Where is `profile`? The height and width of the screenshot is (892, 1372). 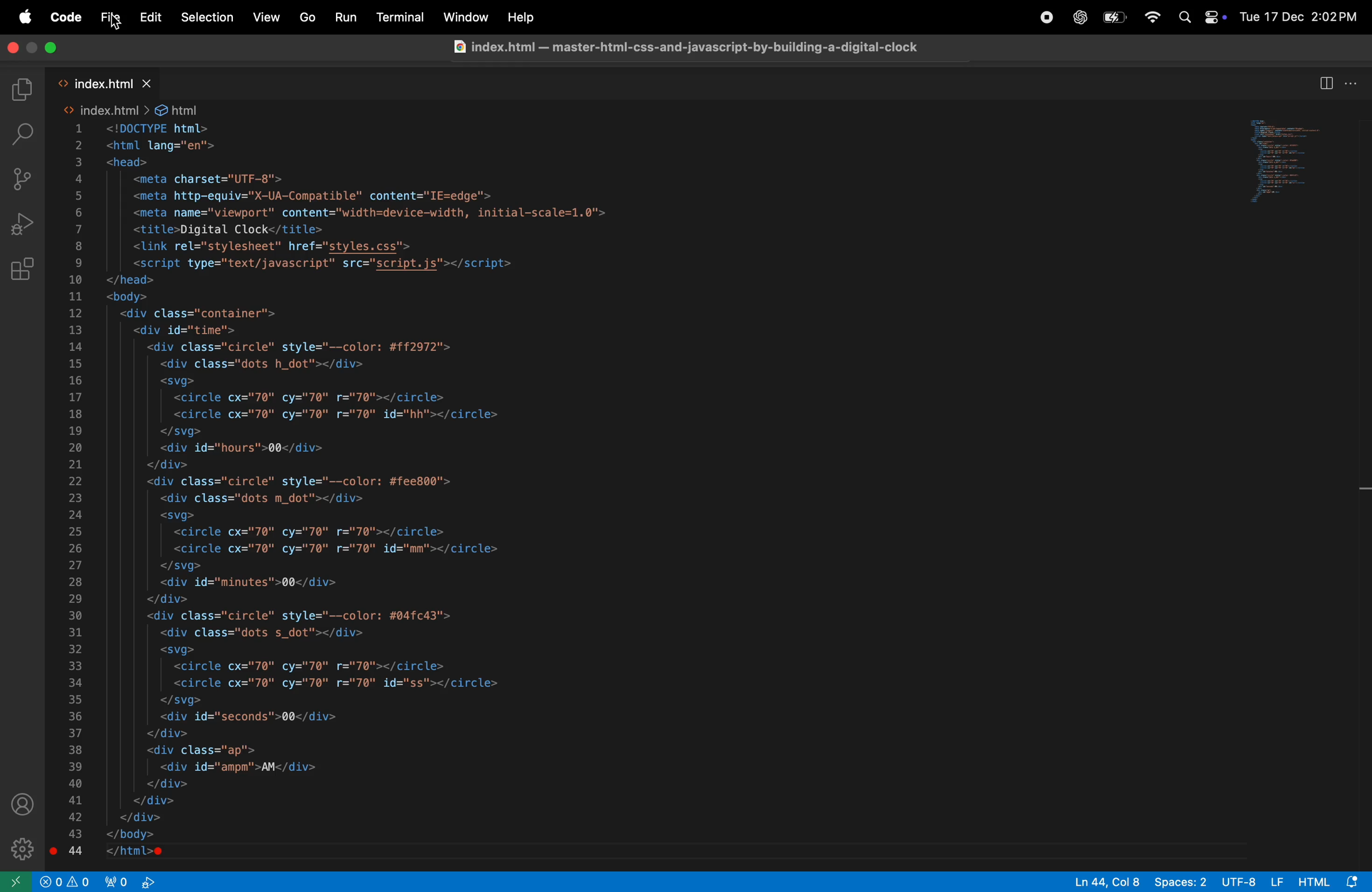 profile is located at coordinates (24, 806).